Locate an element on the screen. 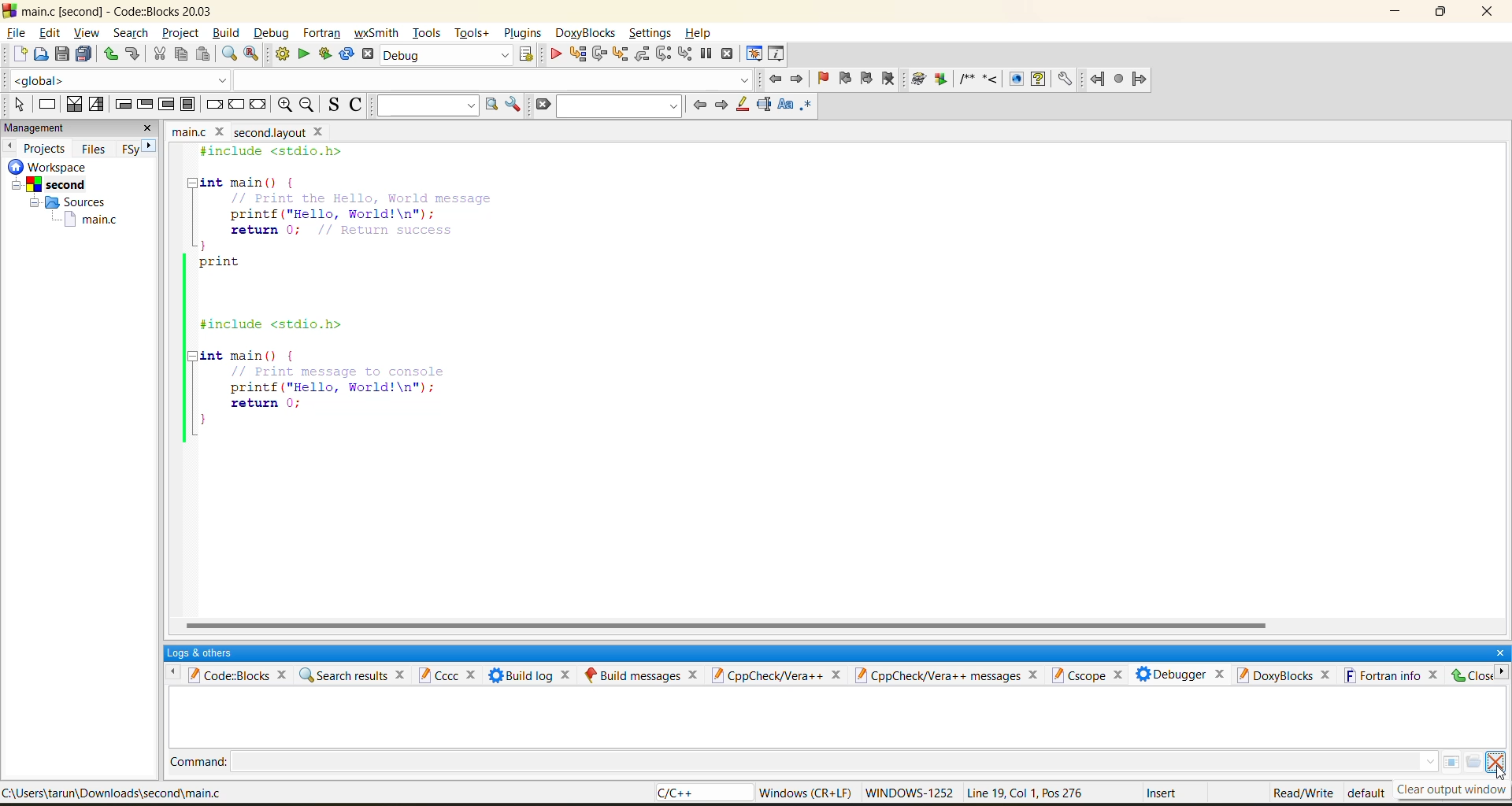  build is located at coordinates (229, 33).